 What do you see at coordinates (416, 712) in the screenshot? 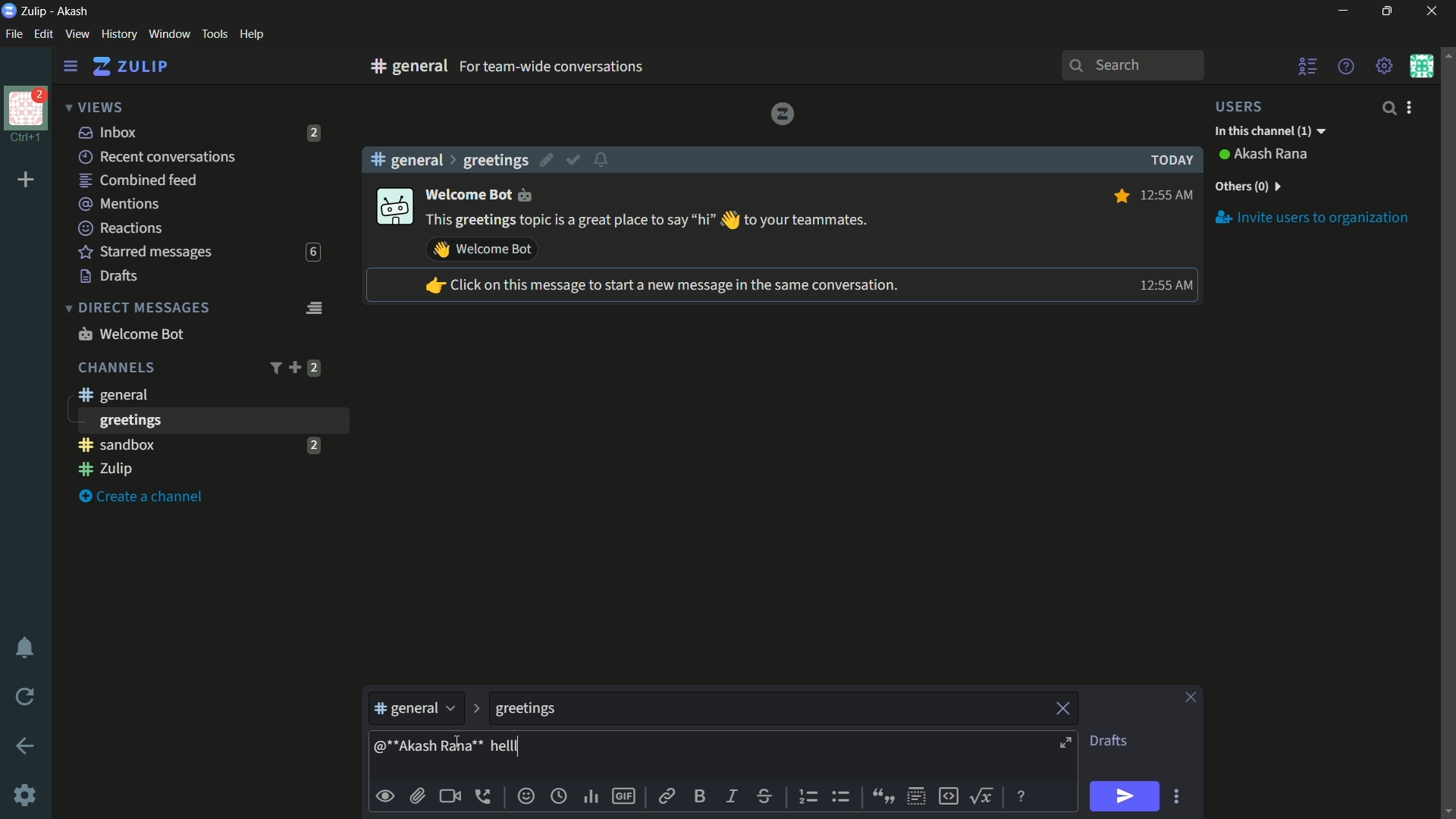
I see `general channel` at bounding box center [416, 712].